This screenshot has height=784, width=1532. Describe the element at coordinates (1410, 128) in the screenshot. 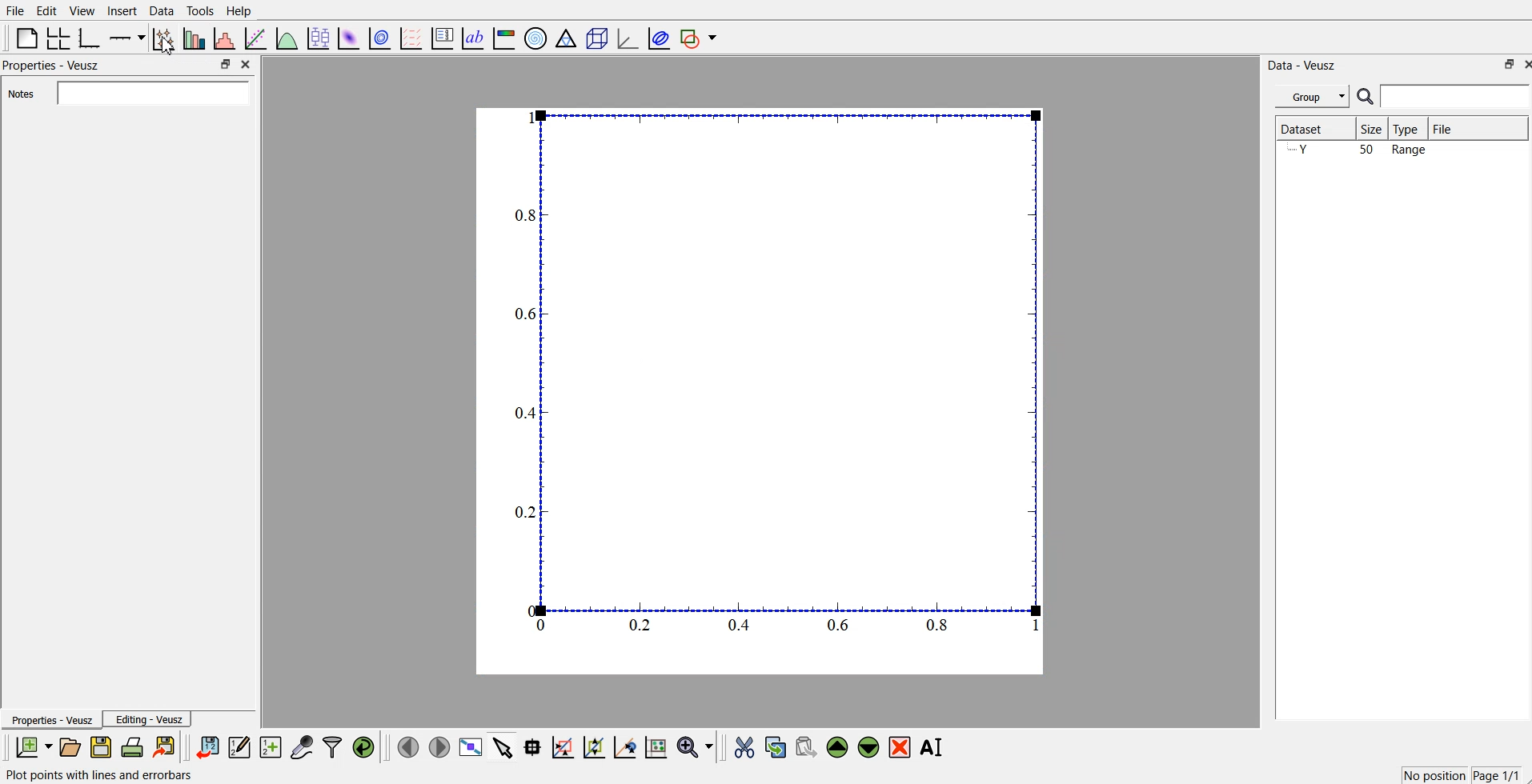

I see `Type` at that location.